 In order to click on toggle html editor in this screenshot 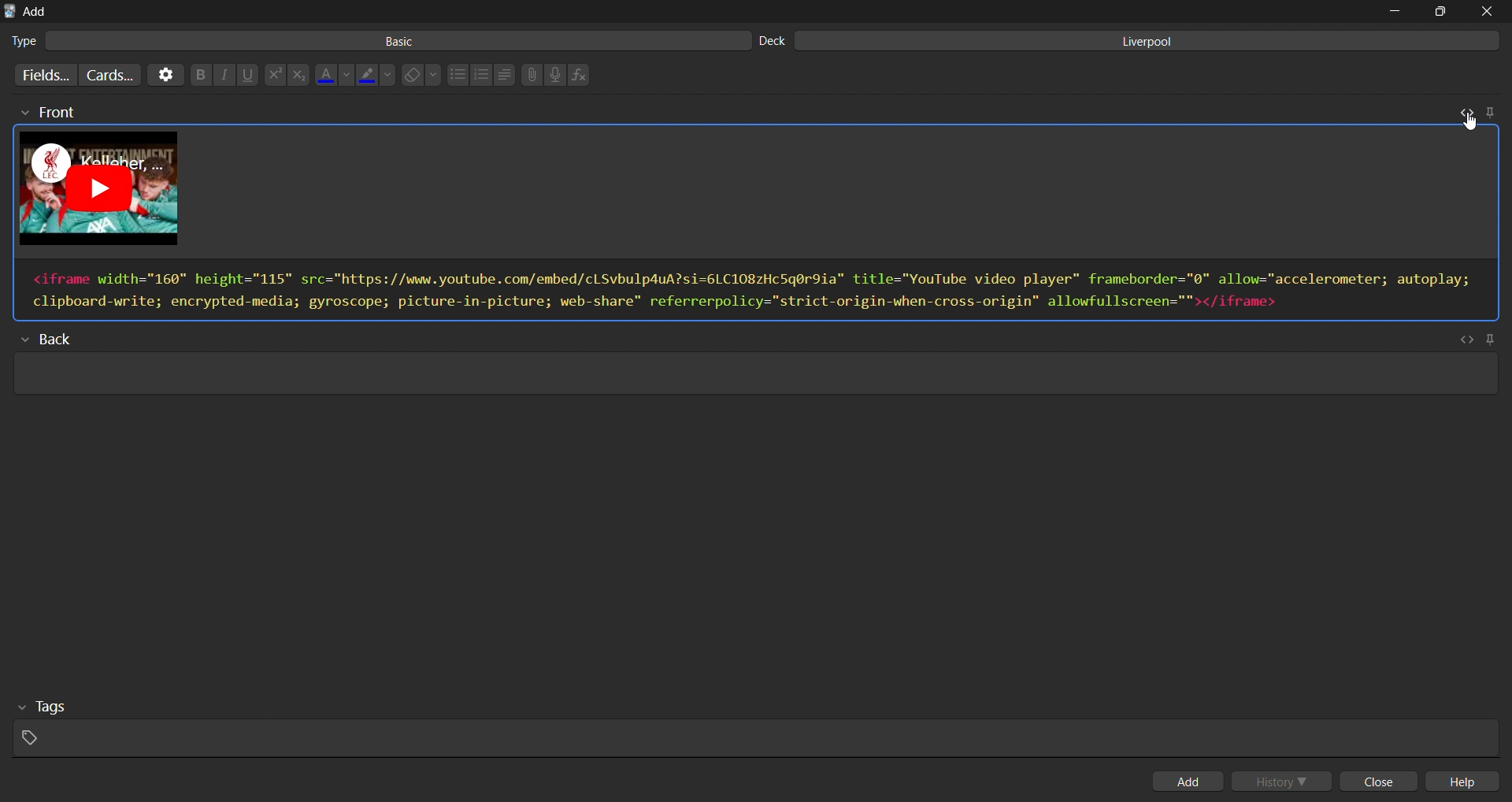, I will do `click(1465, 339)`.